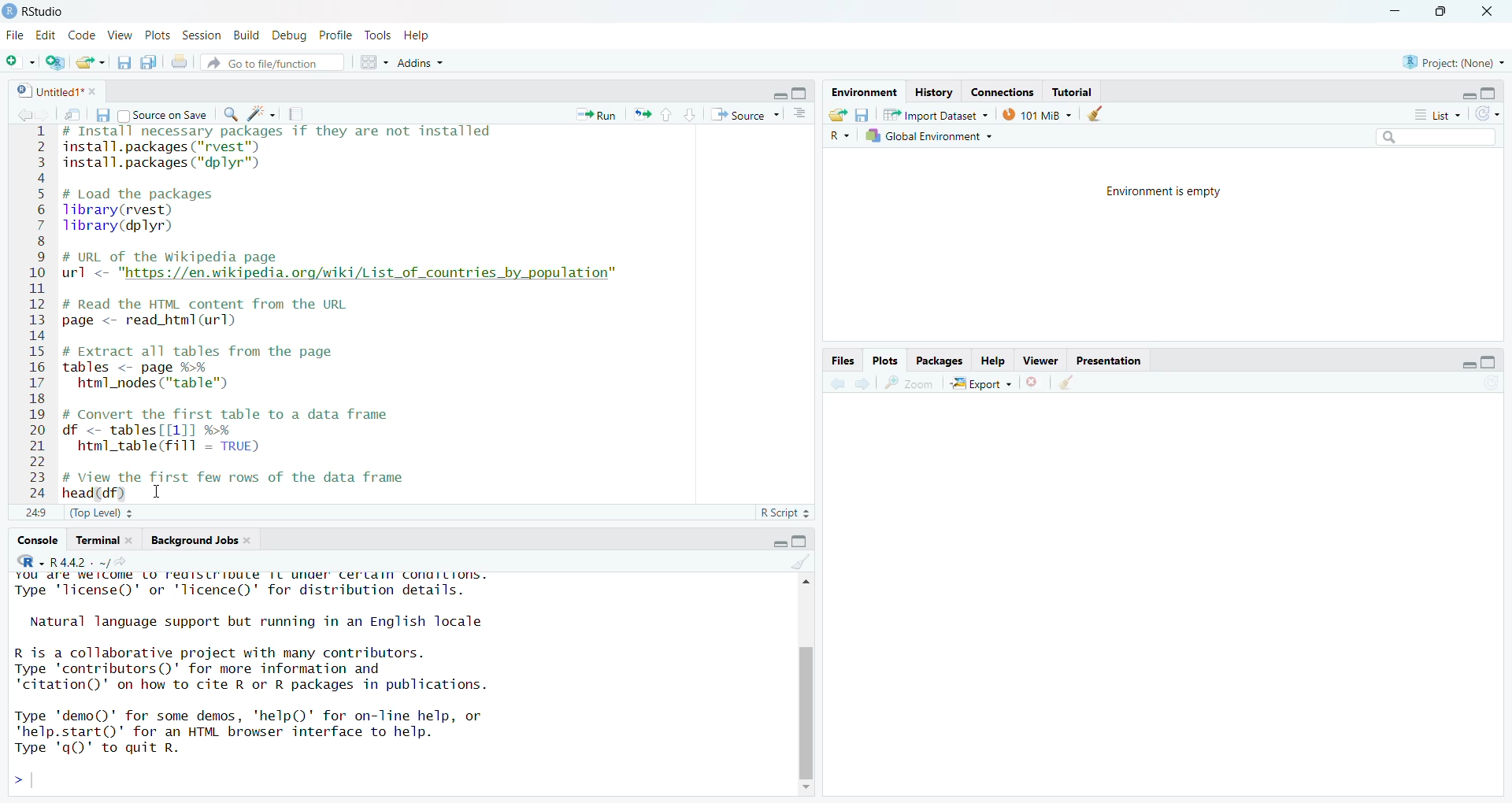 Image resolution: width=1512 pixels, height=803 pixels. I want to click on RStudio, so click(42, 12).